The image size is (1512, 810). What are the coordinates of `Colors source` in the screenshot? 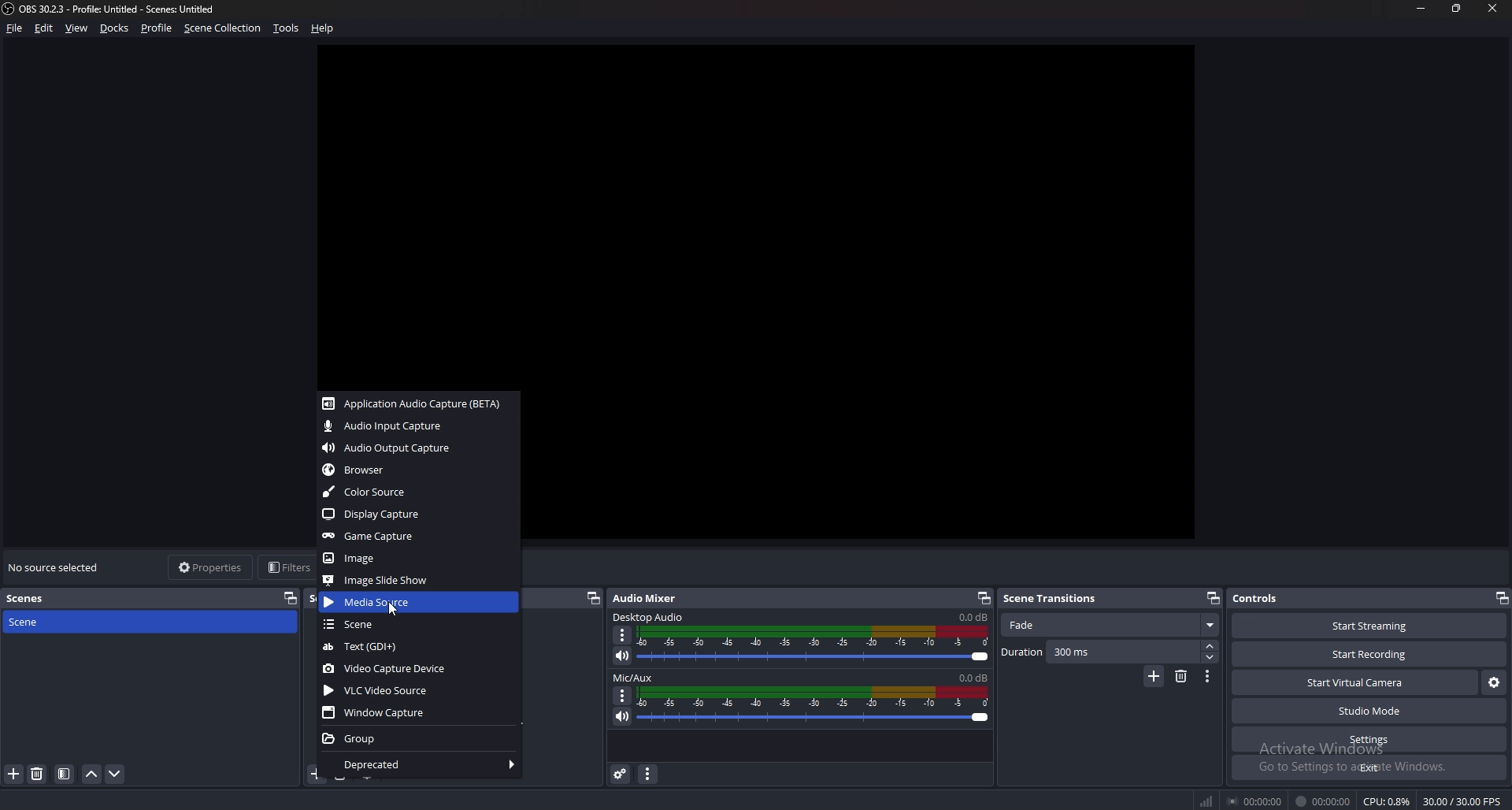 It's located at (416, 492).